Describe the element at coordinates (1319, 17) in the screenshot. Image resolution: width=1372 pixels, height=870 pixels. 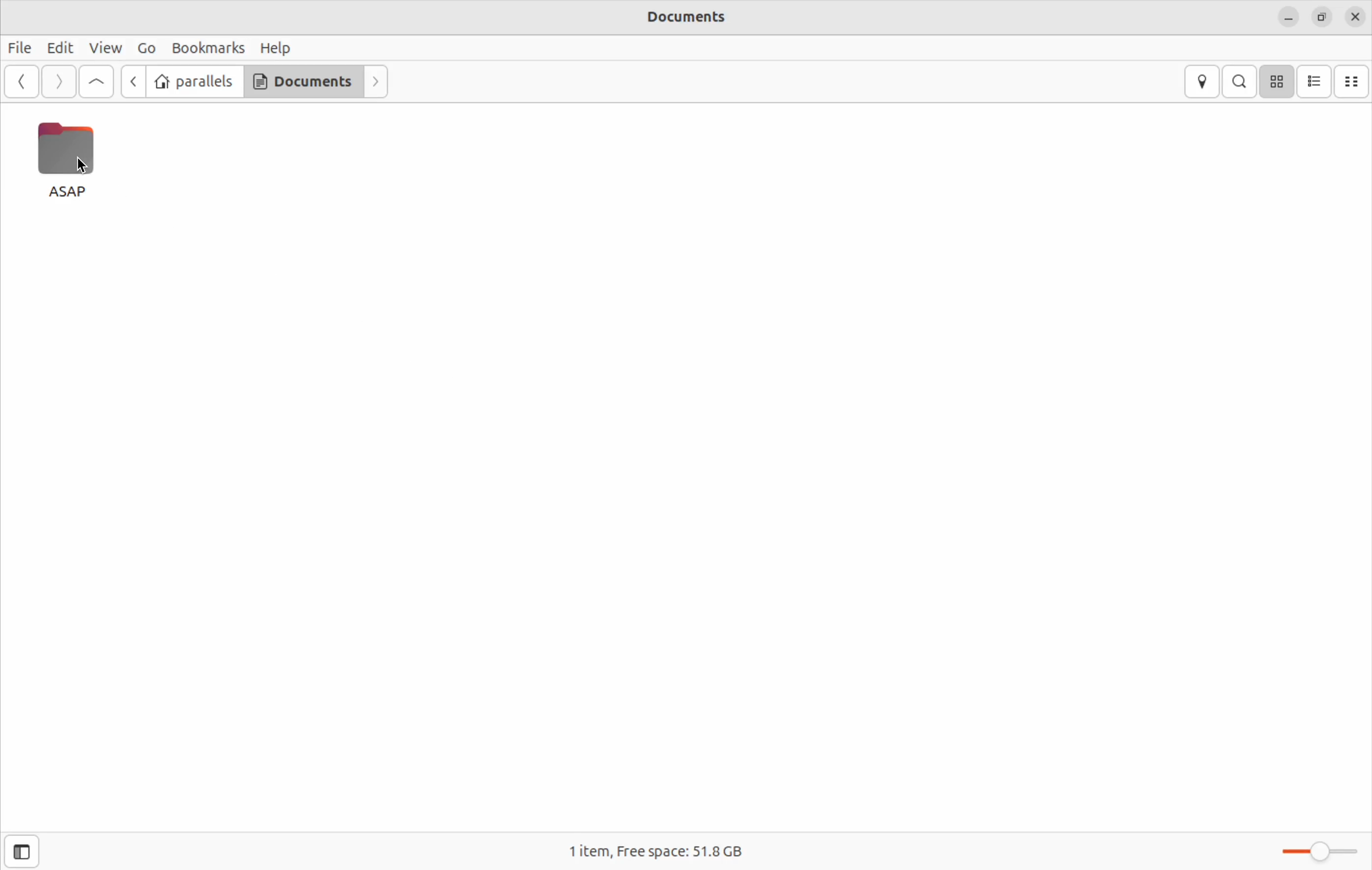
I see `resize` at that location.